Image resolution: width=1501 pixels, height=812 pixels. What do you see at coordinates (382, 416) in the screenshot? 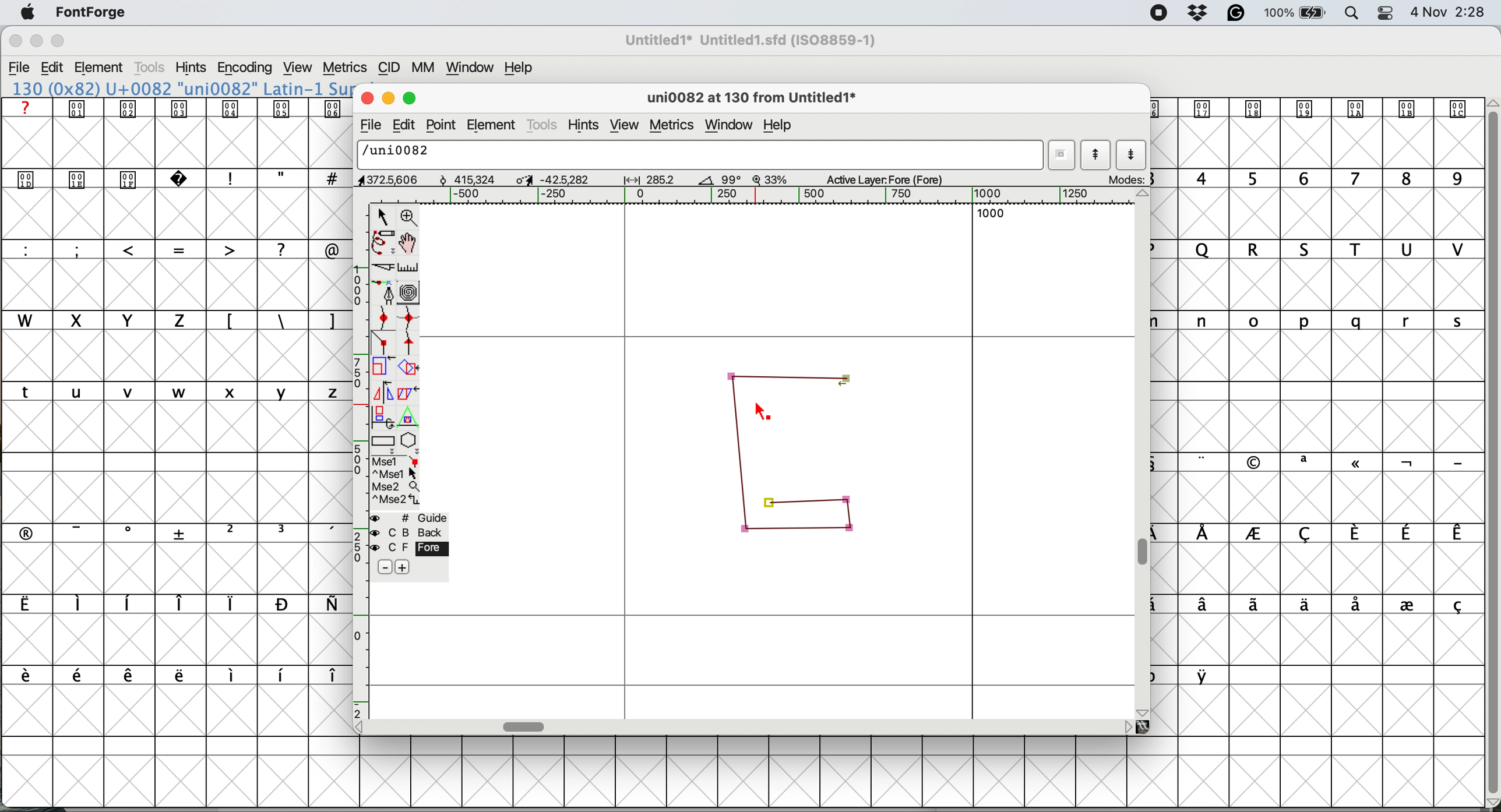
I see `rotate the selection in 3d and project back to plane` at bounding box center [382, 416].